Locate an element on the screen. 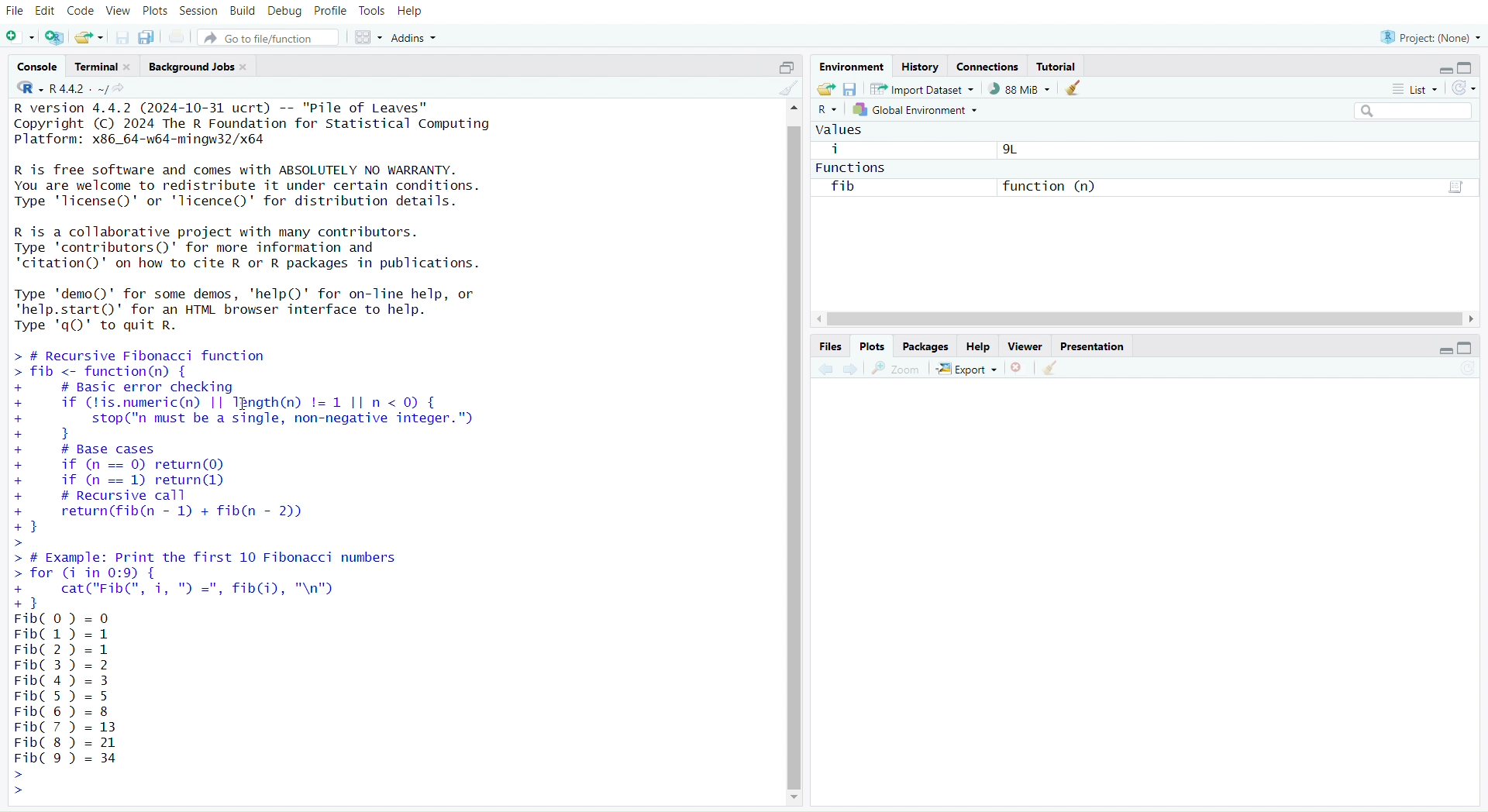 This screenshot has height=812, width=1488. > # Recursive Fibonacci function fib <- function(p) {# Basic error checking if (! is.numeric(n) || length) t= 1 I n <0) {stop("n must be a single, non-negative integer.")¥# Base cases if (n == 0) return(0)if (n == 1) return(l)# Recursive call return(fib(n - 1) + fib(n - 2))}# Example: Print the first 10 Fibonacci numbers for (i in 0:9) {cat("Fib(", i, " =", fib), "n} is located at coordinates (274, 477).